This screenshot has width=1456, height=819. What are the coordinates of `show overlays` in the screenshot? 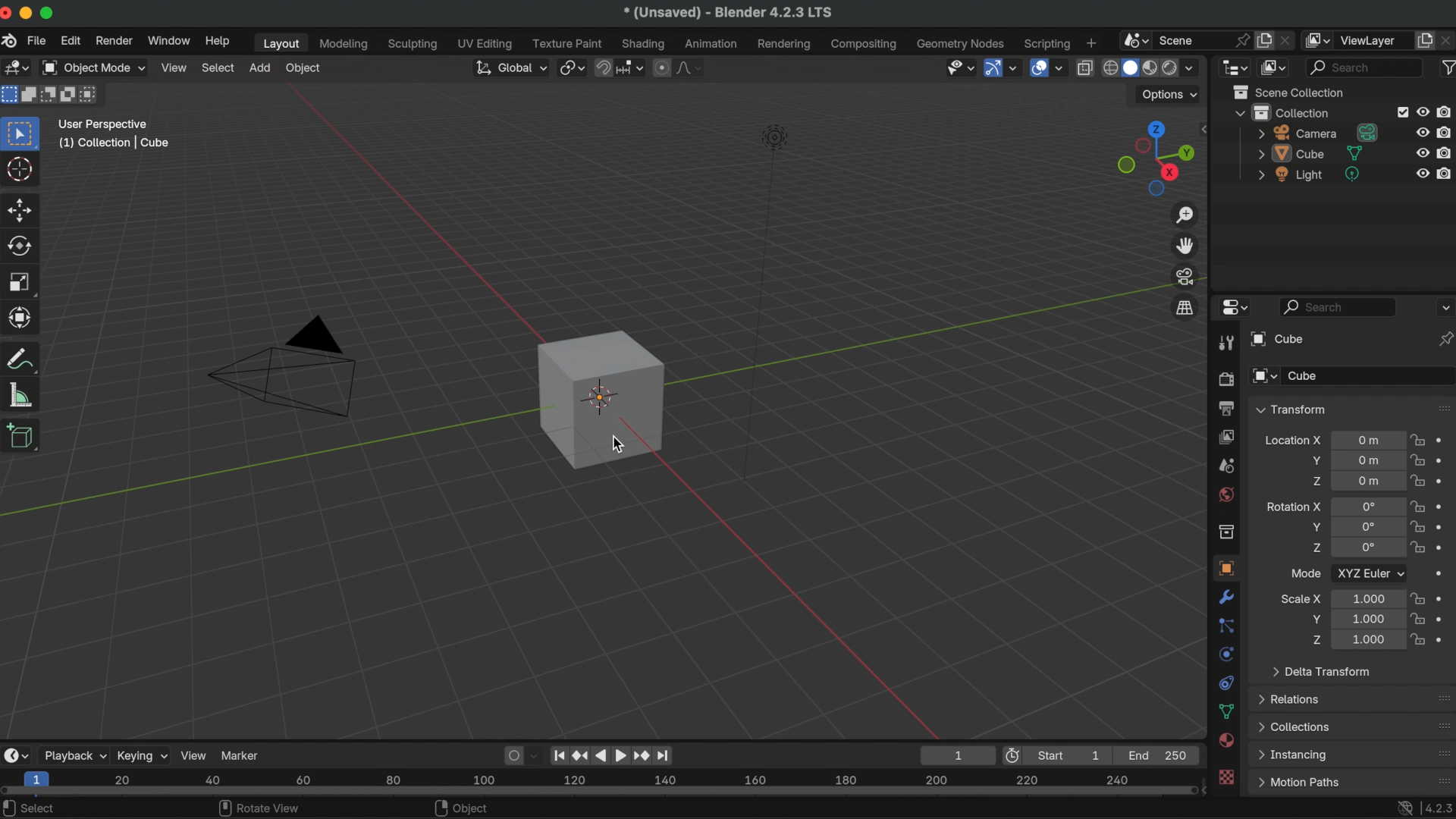 It's located at (1037, 67).